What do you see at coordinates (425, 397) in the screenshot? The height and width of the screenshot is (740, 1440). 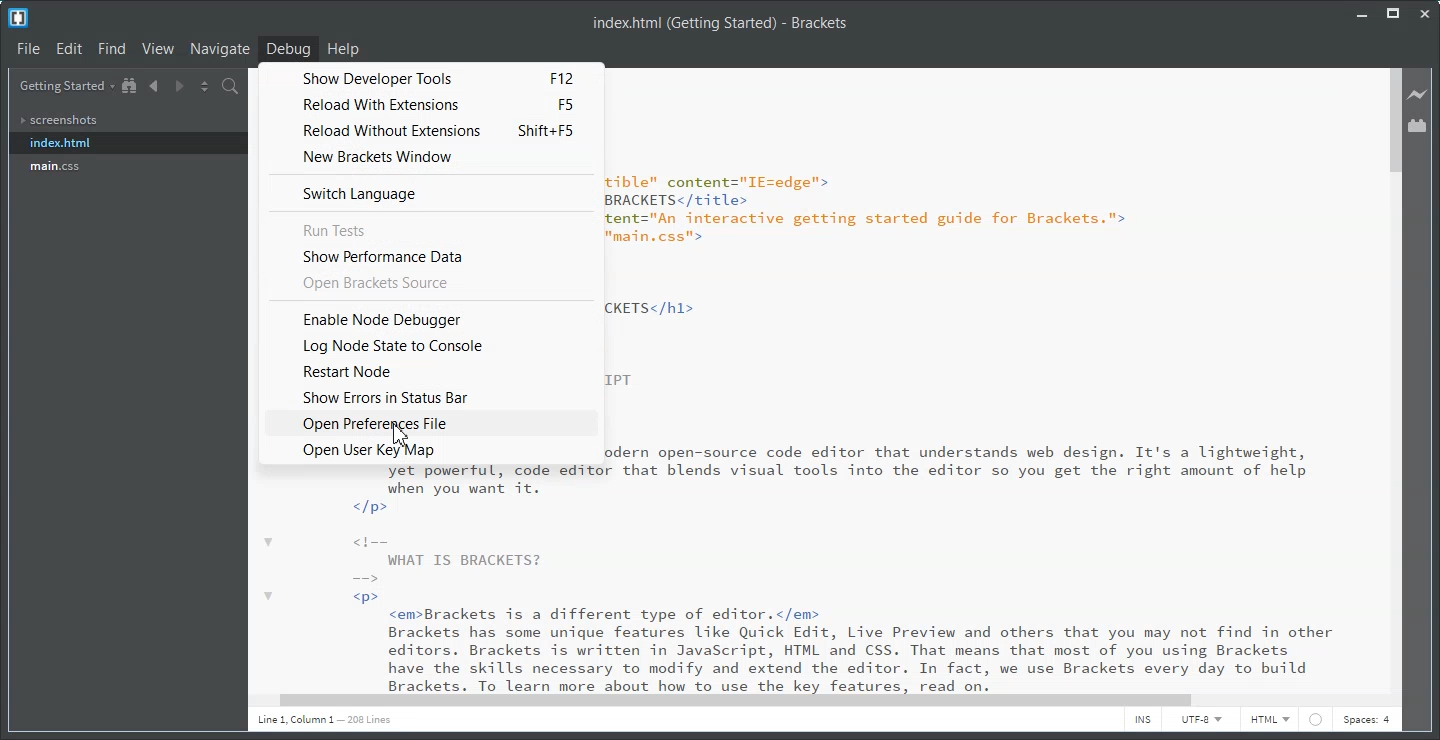 I see `Show Errors in Status Bar` at bounding box center [425, 397].